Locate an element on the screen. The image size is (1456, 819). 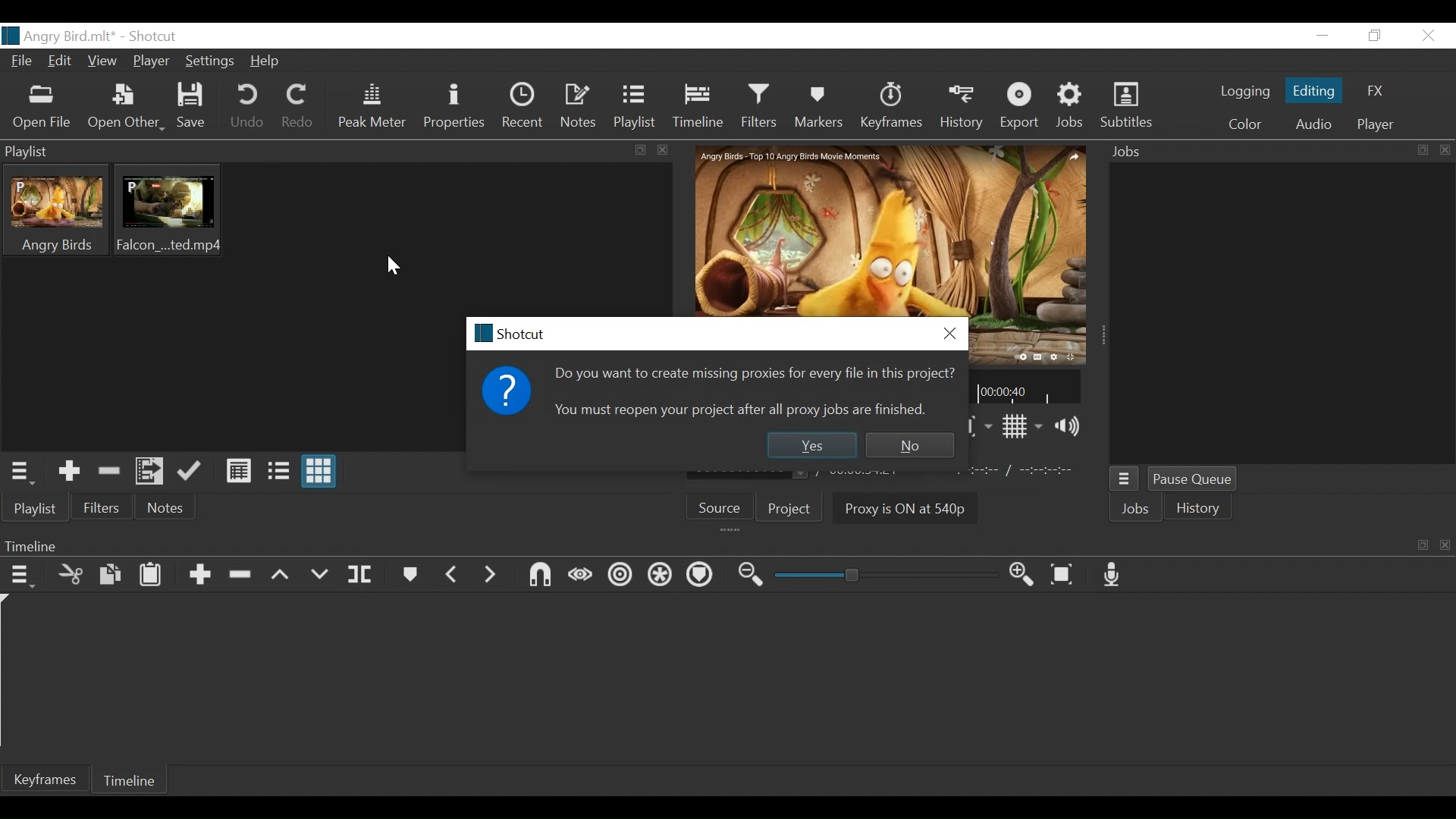
Timeline is located at coordinates (699, 107).